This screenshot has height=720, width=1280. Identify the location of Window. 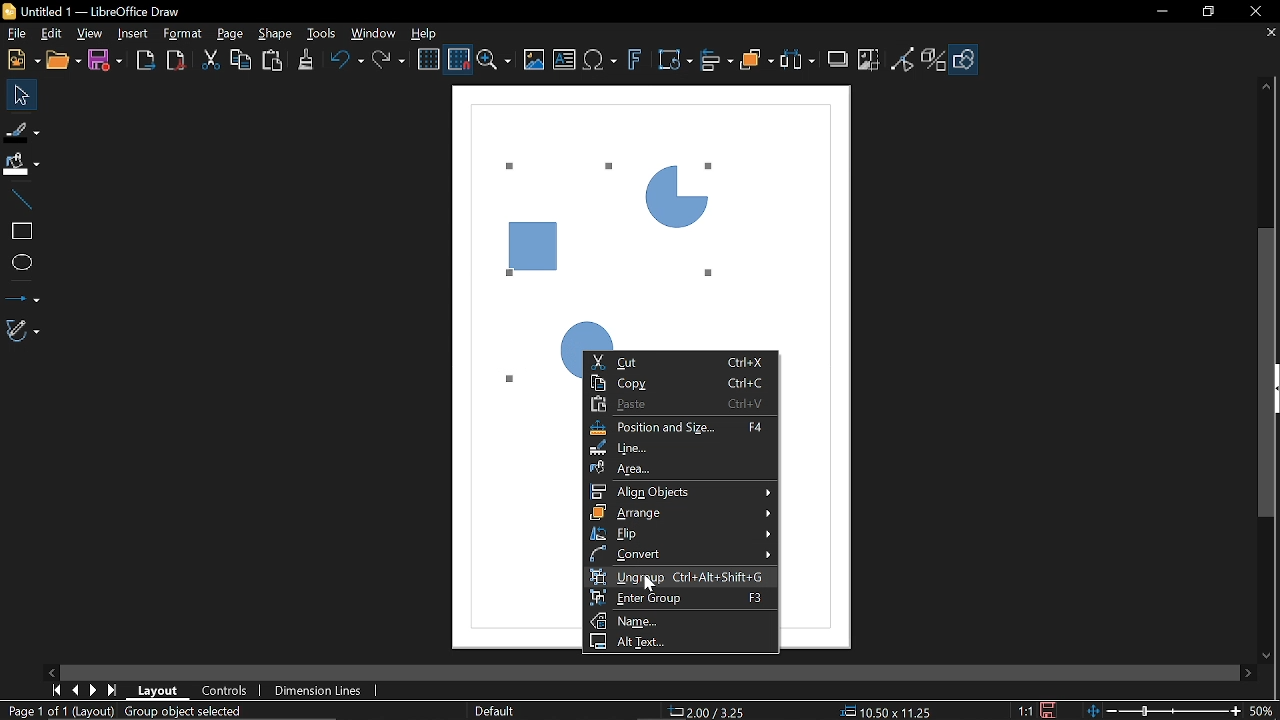
(373, 35).